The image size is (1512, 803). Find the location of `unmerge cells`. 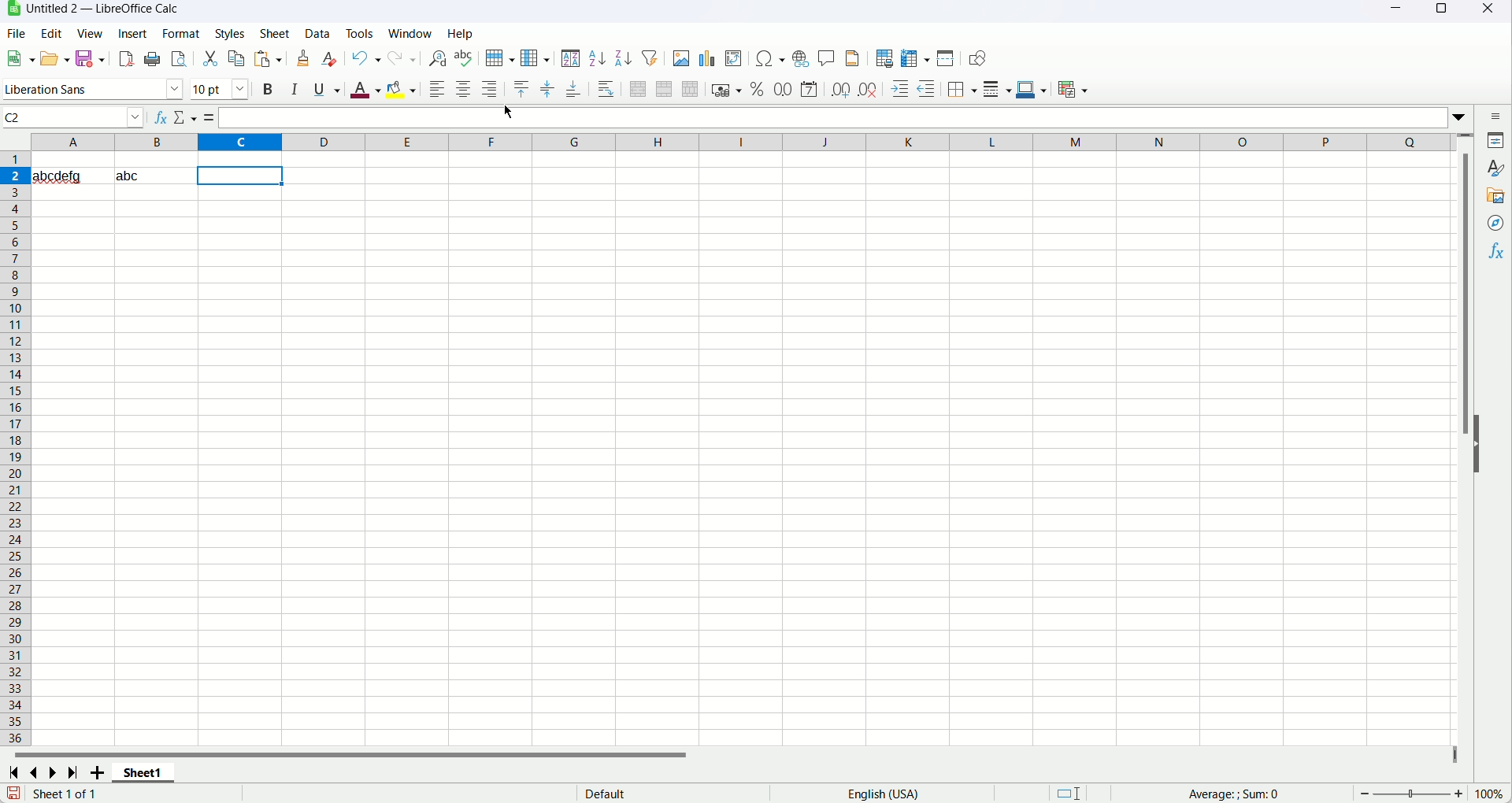

unmerge cells is located at coordinates (689, 90).